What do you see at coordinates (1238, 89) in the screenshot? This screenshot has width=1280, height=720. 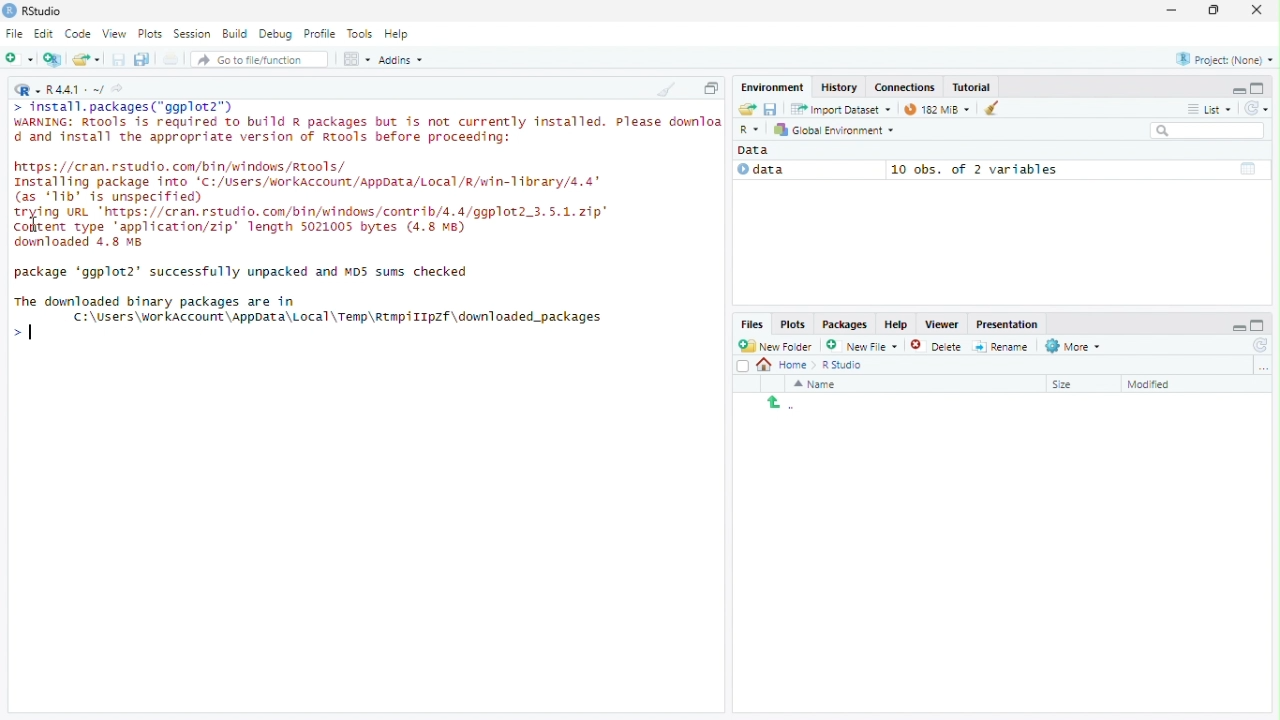 I see `minimize` at bounding box center [1238, 89].